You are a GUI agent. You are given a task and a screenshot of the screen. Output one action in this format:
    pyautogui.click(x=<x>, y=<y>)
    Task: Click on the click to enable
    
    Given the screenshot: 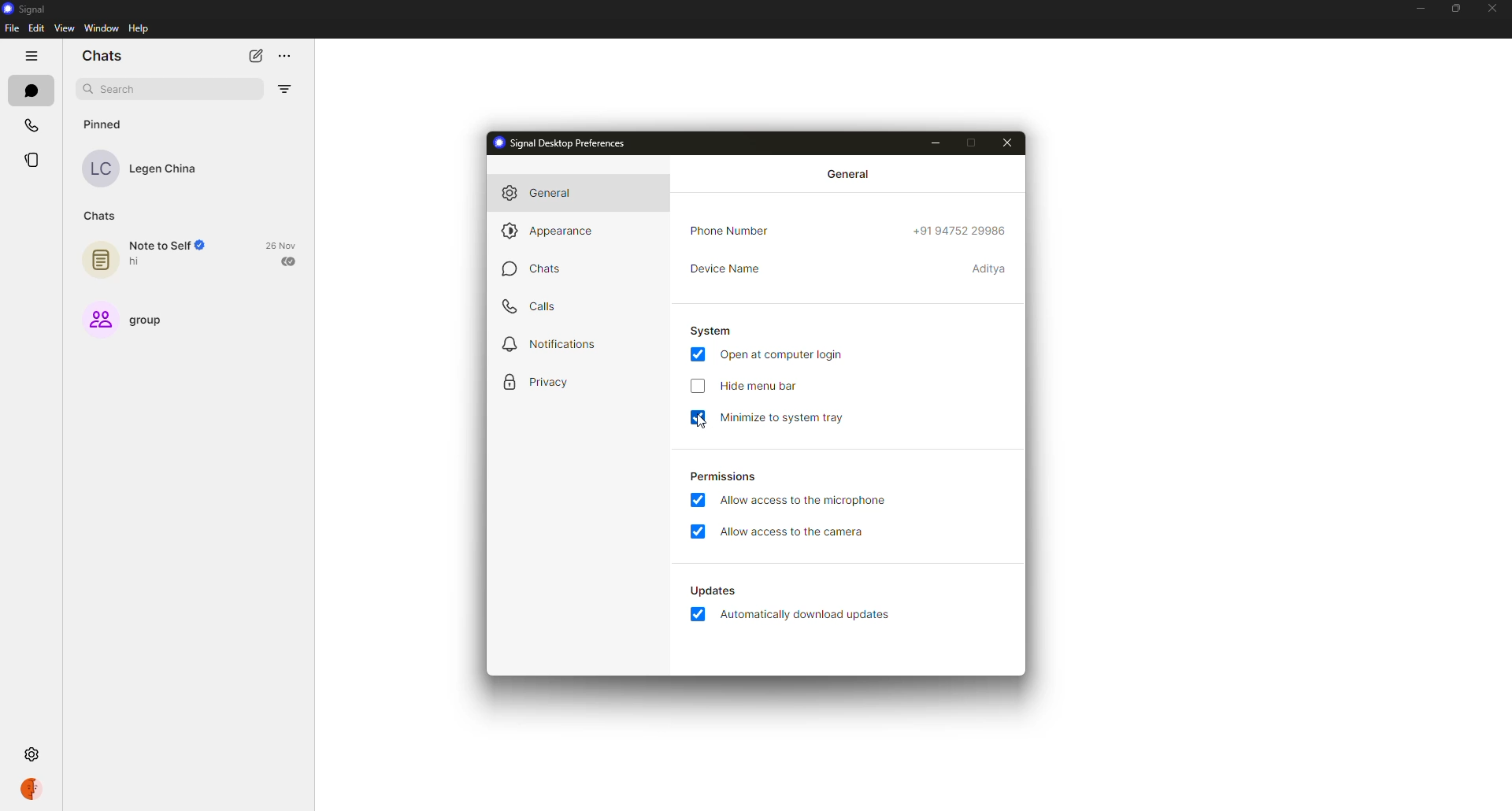 What is the action you would take?
    pyautogui.click(x=697, y=385)
    